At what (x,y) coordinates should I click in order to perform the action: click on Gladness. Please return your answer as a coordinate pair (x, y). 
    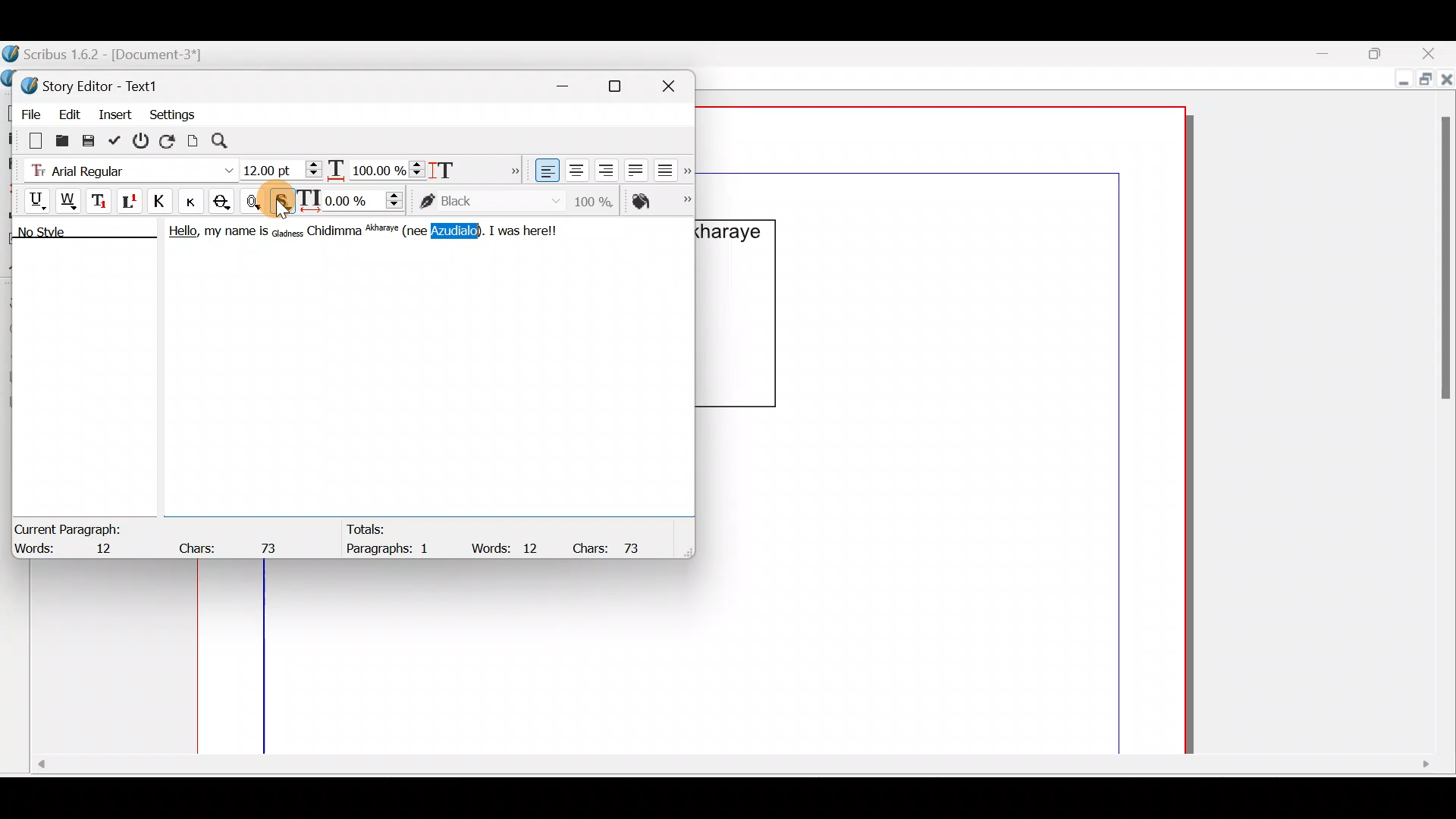
    Looking at the image, I should click on (287, 231).